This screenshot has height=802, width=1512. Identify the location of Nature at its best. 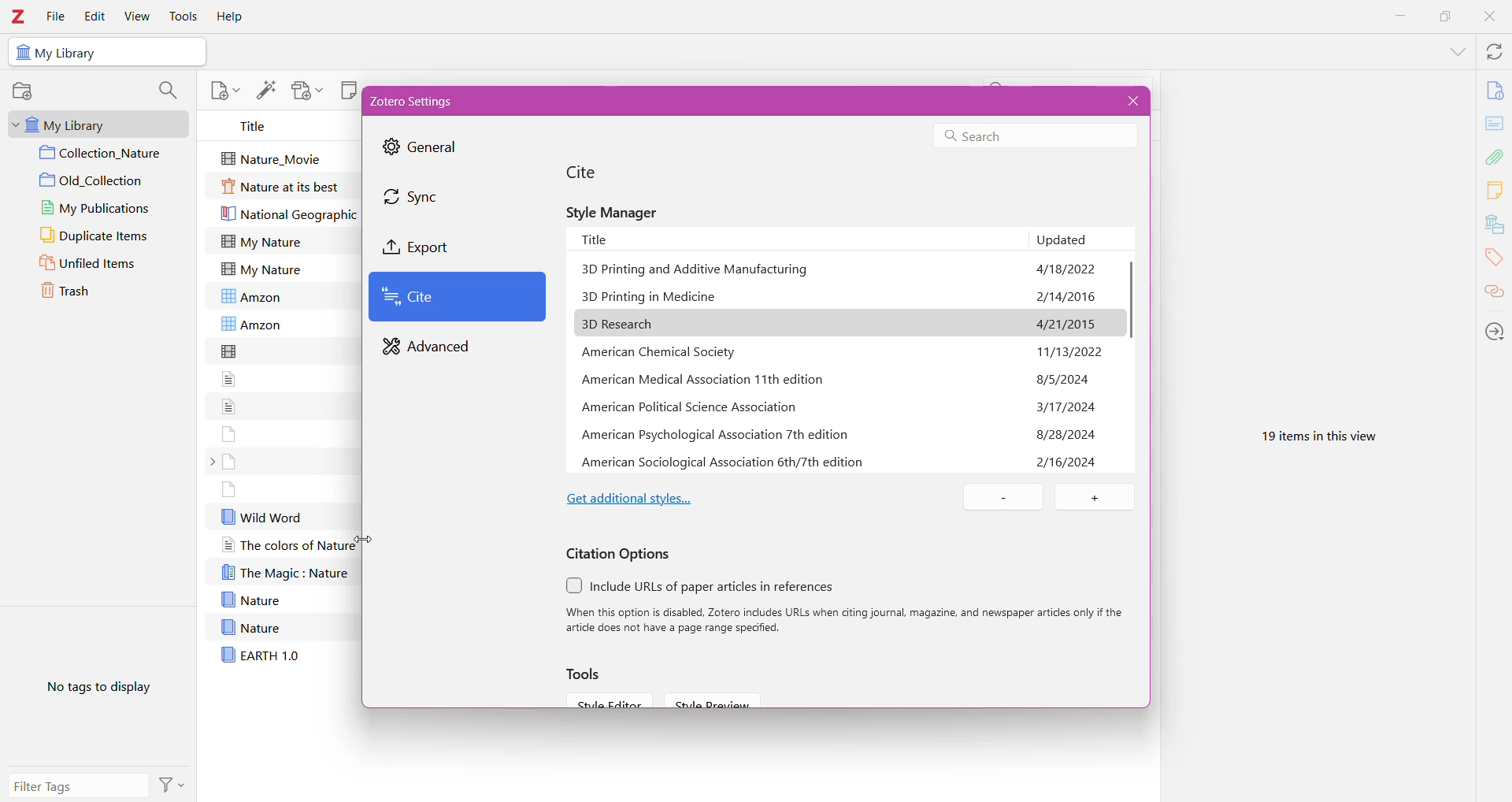
(283, 188).